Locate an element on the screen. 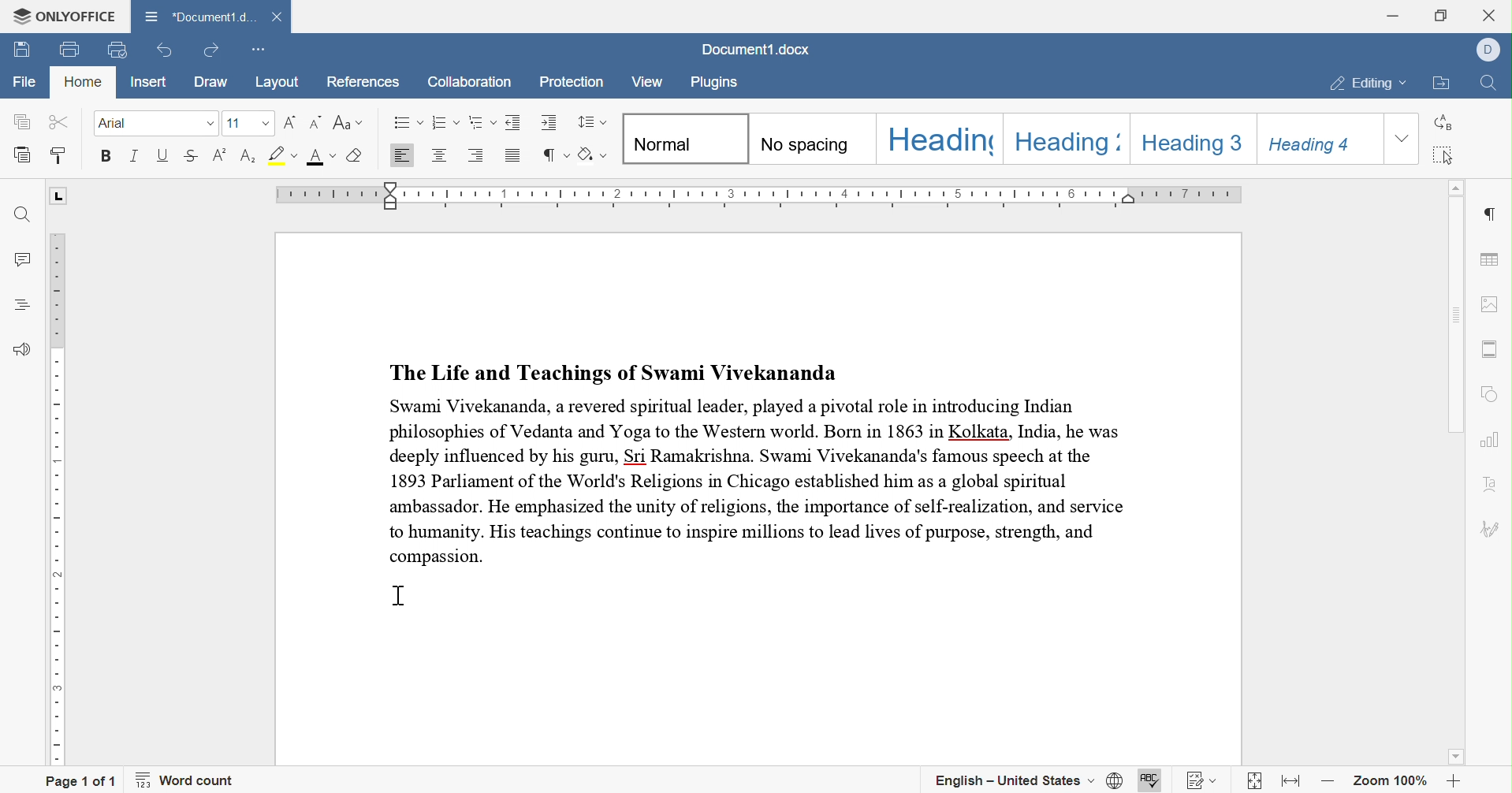 The height and width of the screenshot is (793, 1512). decrement font size is located at coordinates (317, 122).